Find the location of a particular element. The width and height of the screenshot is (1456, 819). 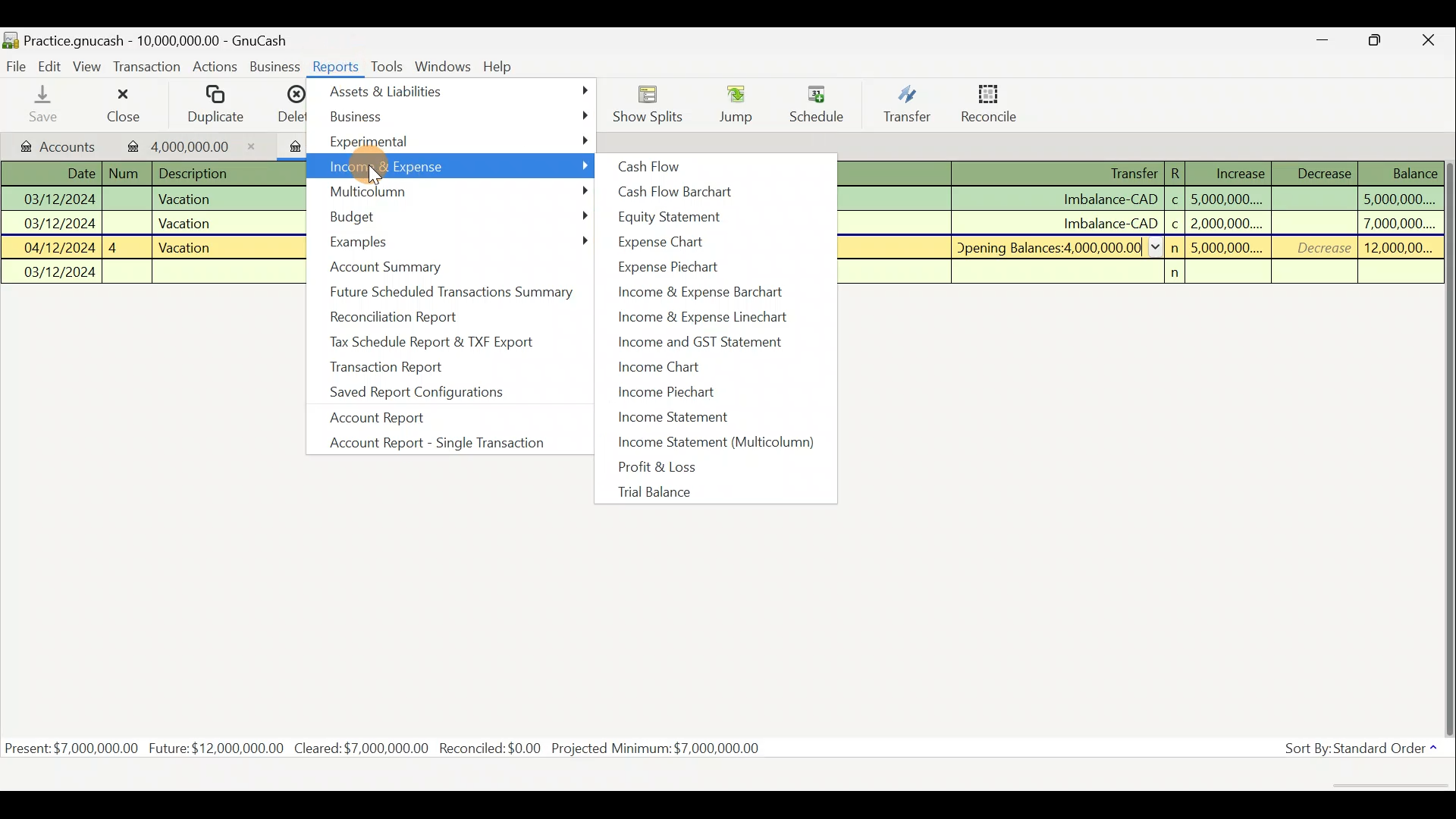

5,000,000.... is located at coordinates (1398, 199).